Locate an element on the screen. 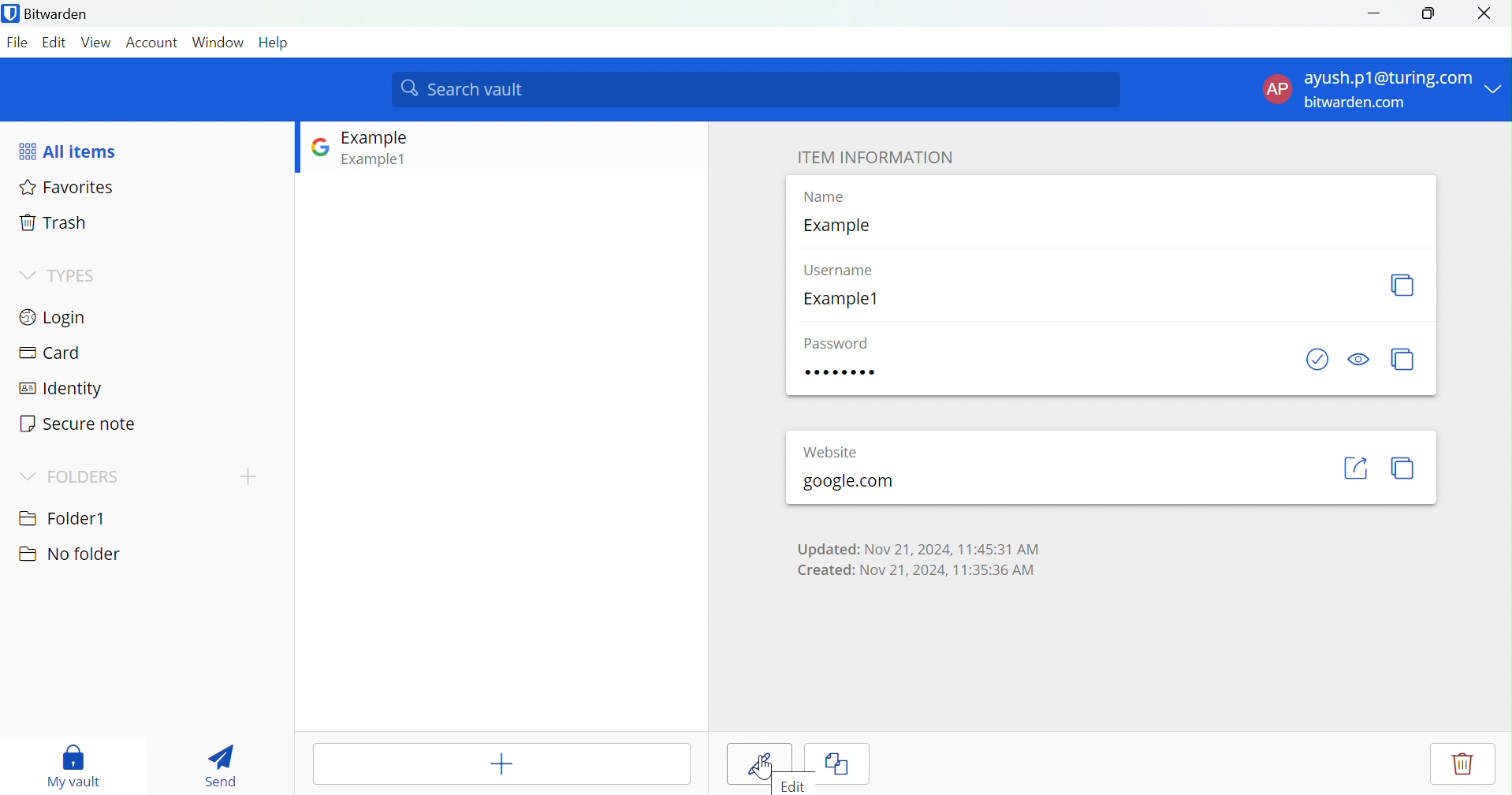  Trash is located at coordinates (55, 224).